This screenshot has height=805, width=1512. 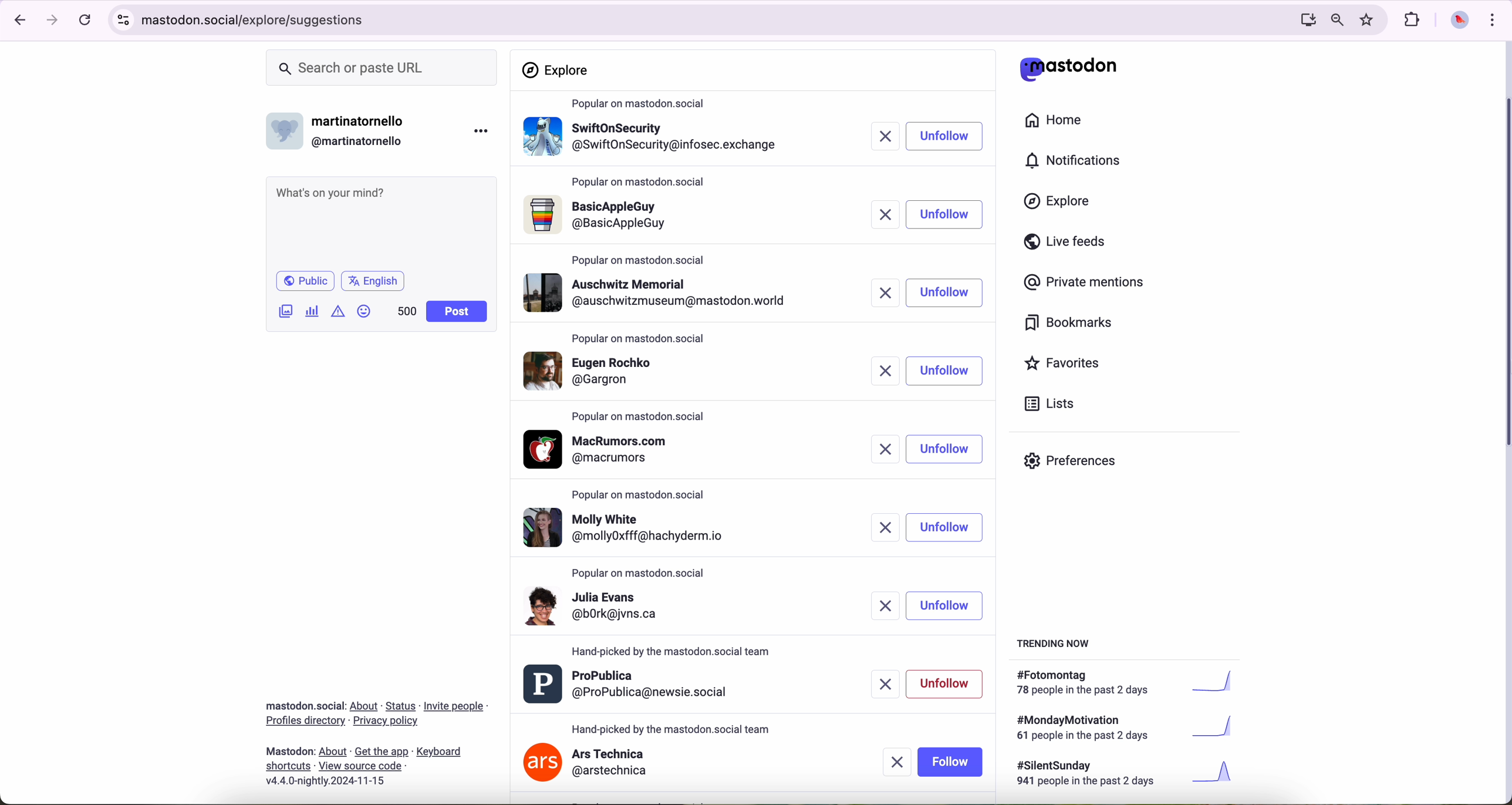 I want to click on remove, so click(x=878, y=607).